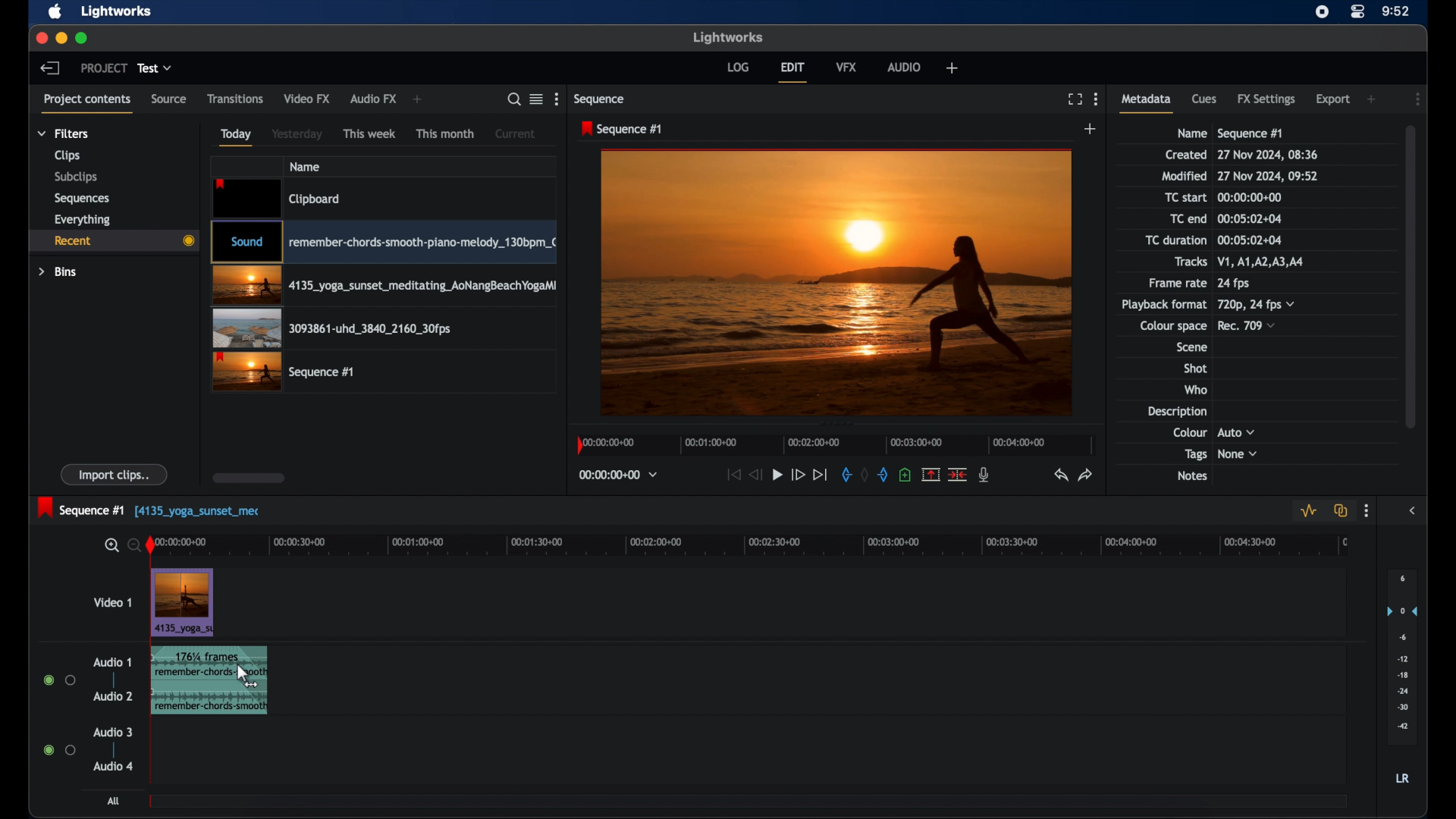 The height and width of the screenshot is (819, 1456). I want to click on frame rate, so click(1175, 284).